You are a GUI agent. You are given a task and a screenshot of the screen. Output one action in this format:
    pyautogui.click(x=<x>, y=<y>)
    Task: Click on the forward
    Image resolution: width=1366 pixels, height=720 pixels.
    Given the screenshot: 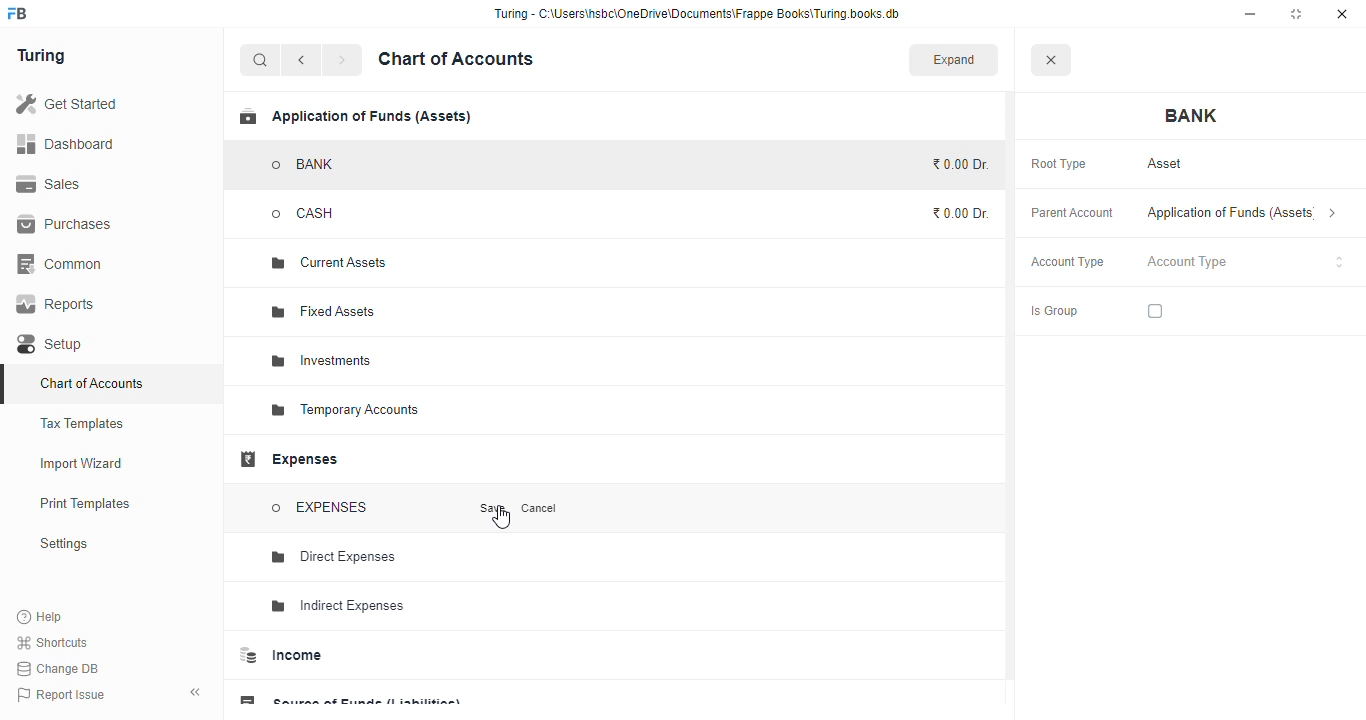 What is the action you would take?
    pyautogui.click(x=342, y=60)
    